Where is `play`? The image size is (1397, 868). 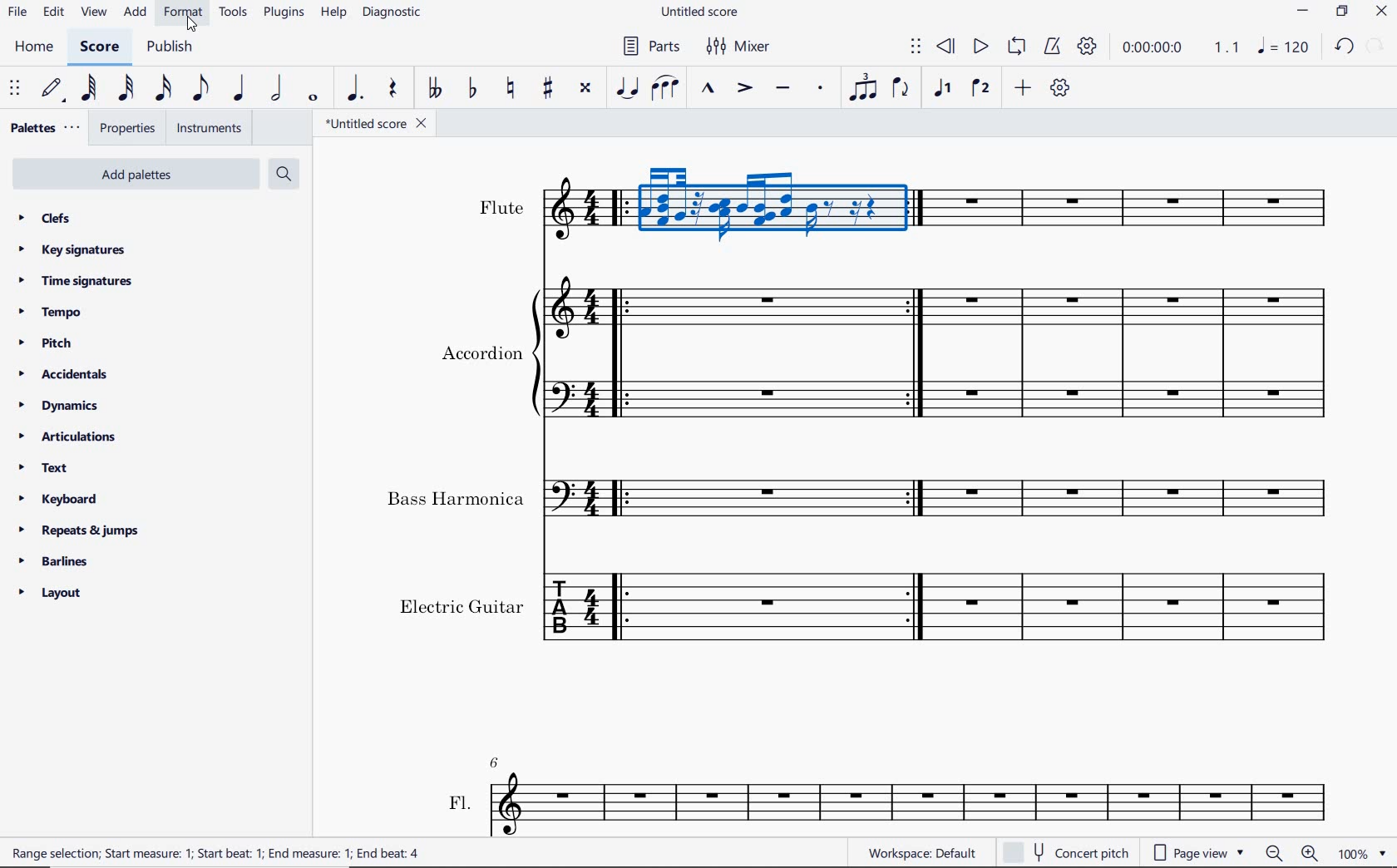
play is located at coordinates (981, 47).